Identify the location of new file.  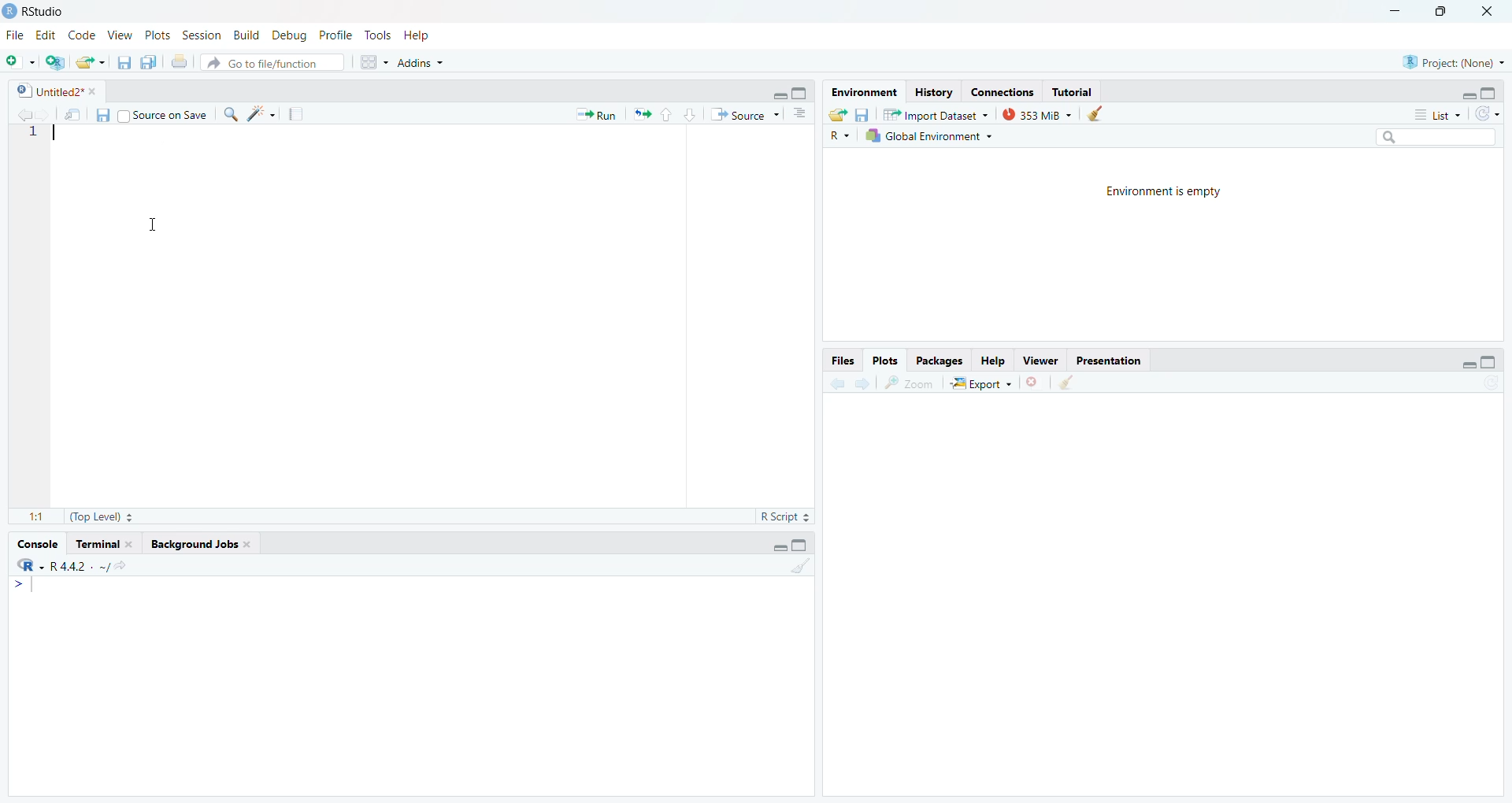
(19, 62).